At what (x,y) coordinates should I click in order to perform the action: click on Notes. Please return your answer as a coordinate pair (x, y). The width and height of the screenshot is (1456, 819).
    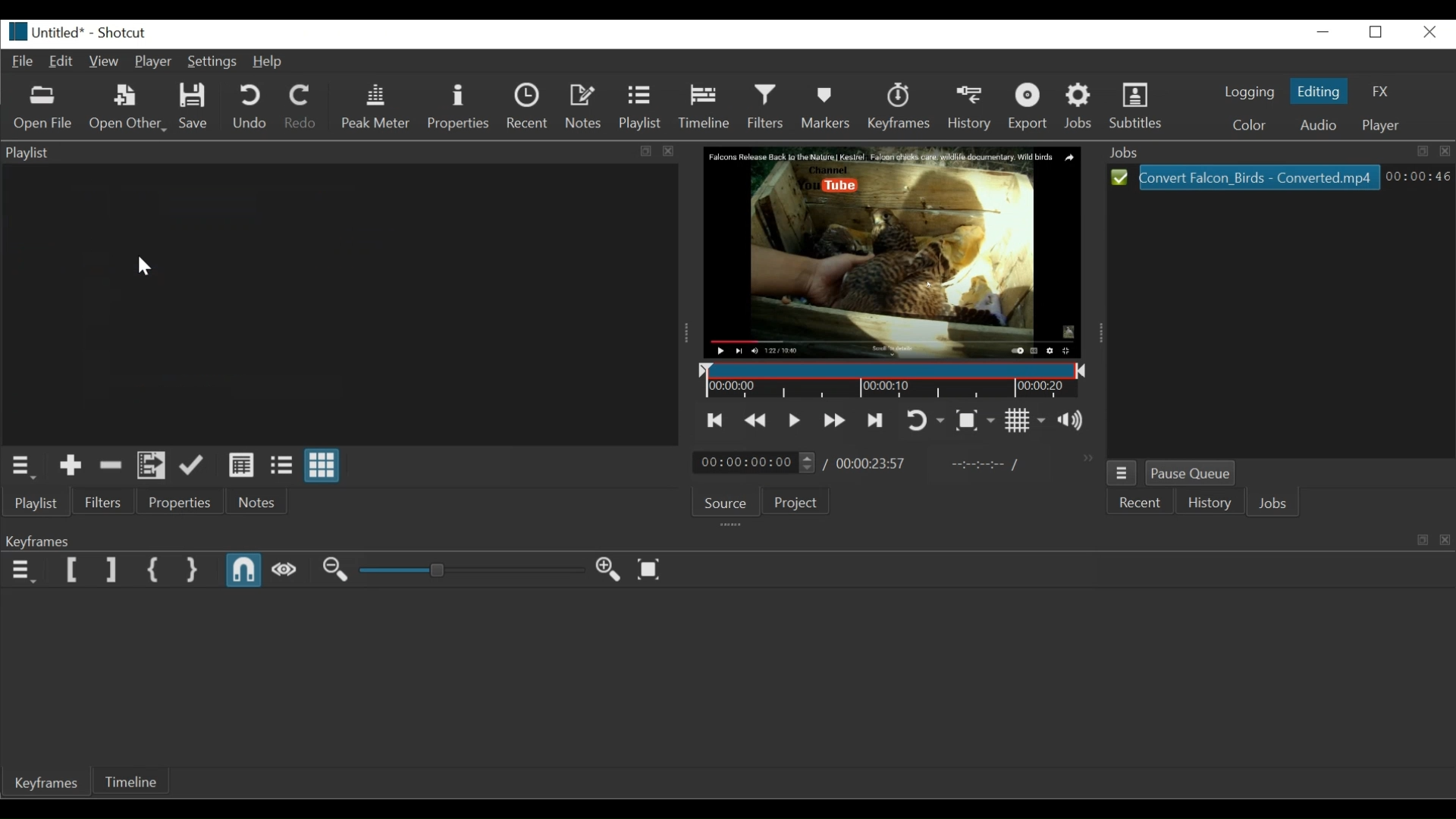
    Looking at the image, I should click on (256, 503).